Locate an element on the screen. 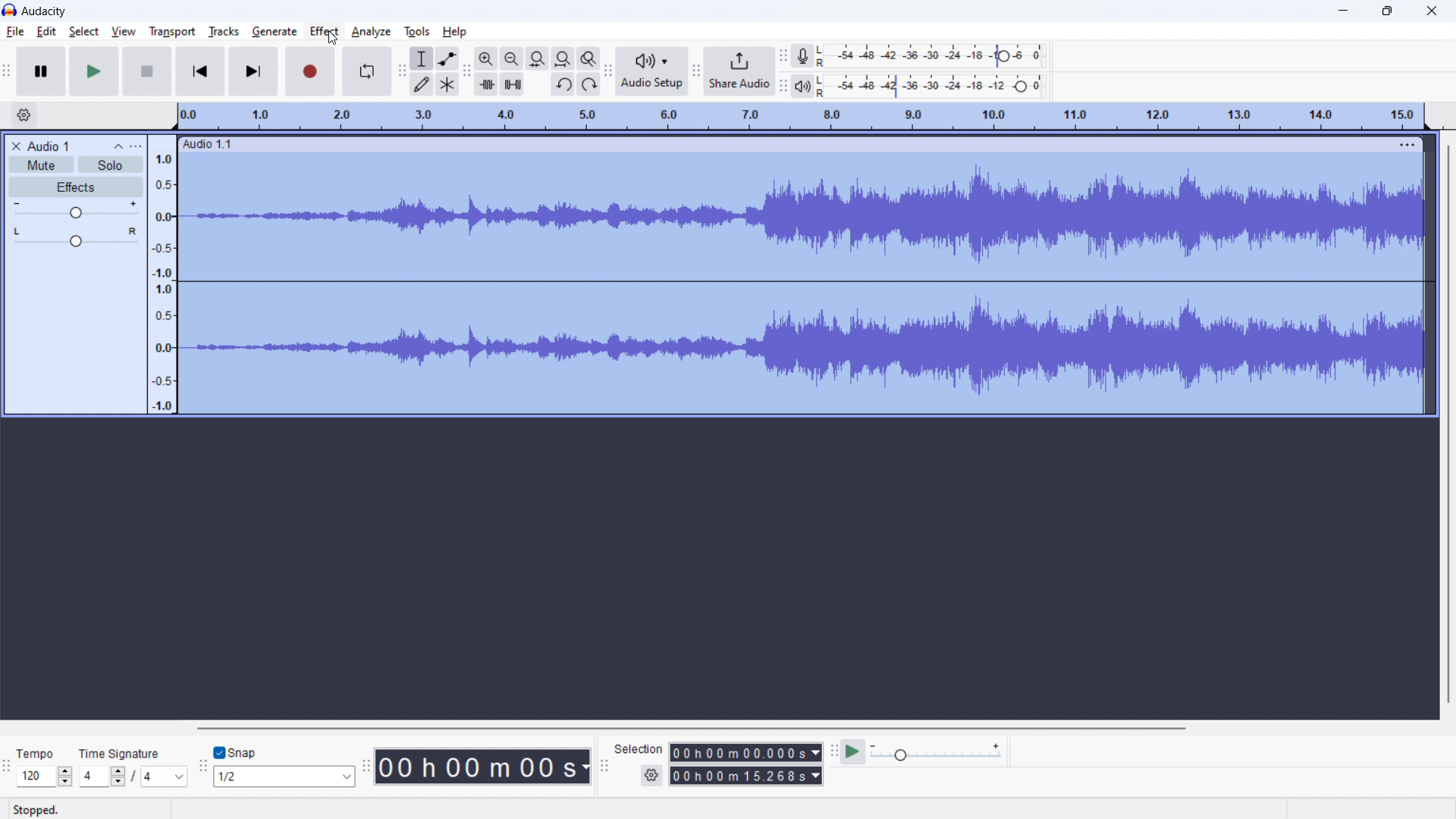  menu is located at coordinates (1409, 144).